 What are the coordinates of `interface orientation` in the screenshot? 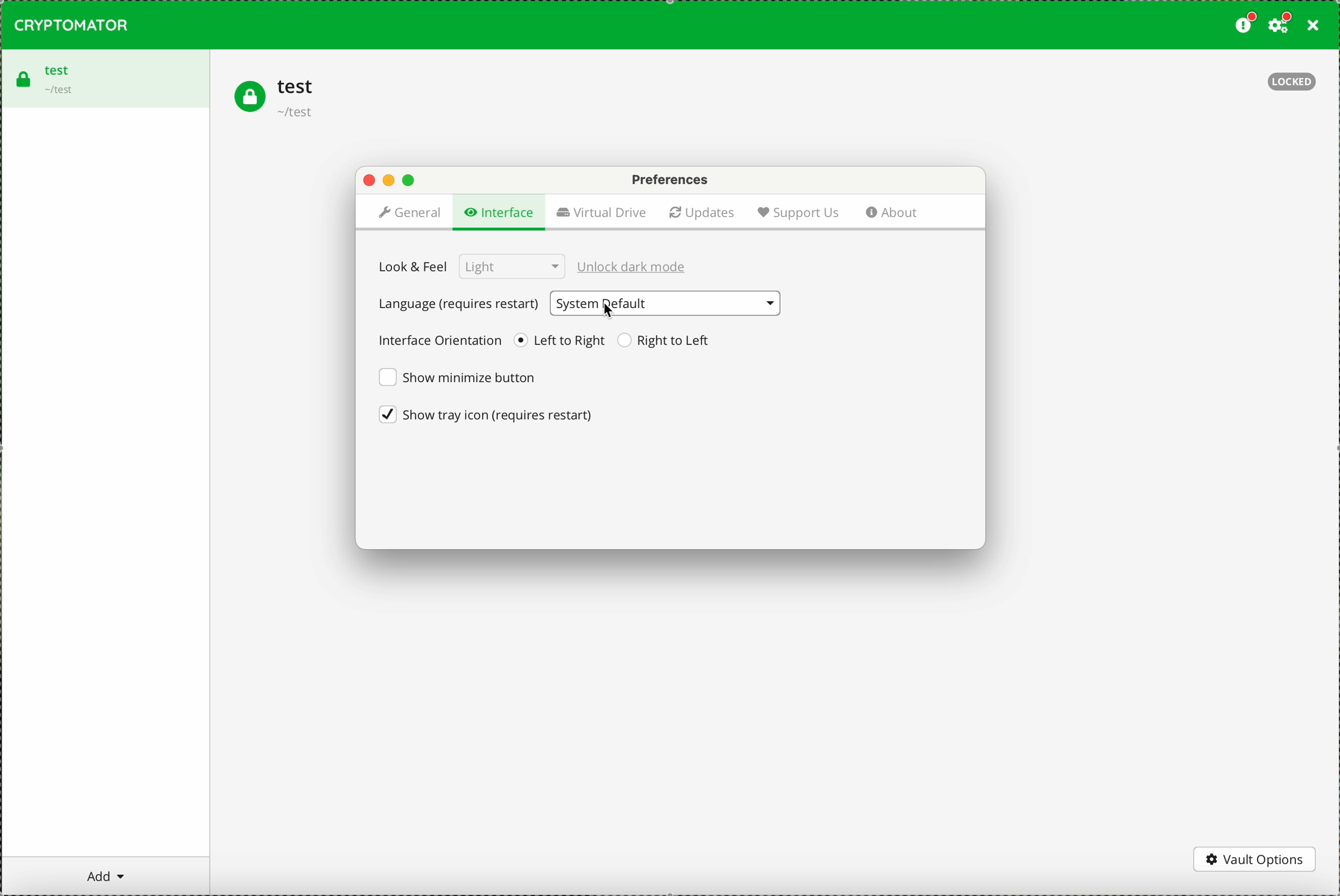 It's located at (438, 342).